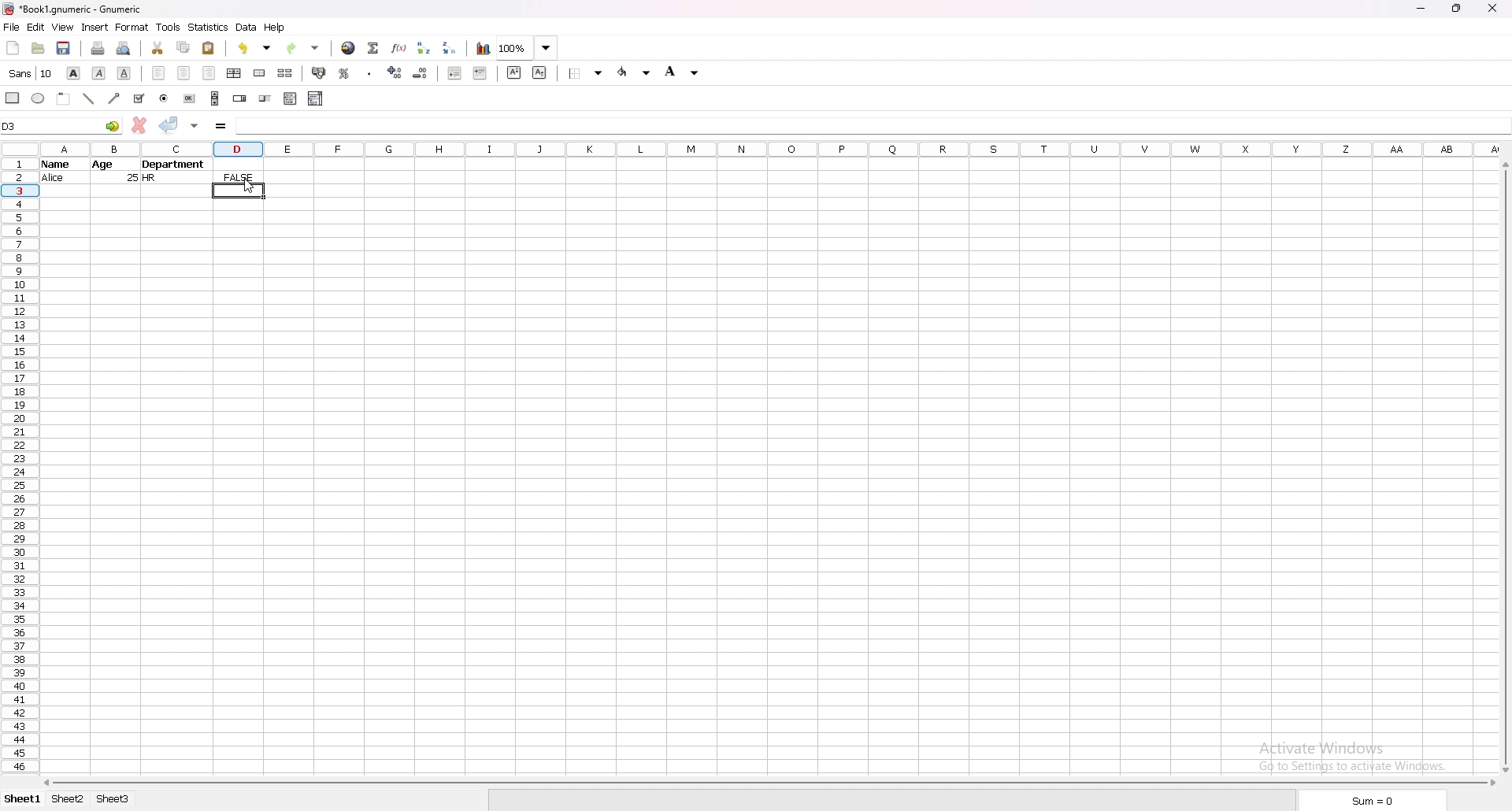 The image size is (1512, 811). What do you see at coordinates (1368, 800) in the screenshot?
I see `sum` at bounding box center [1368, 800].